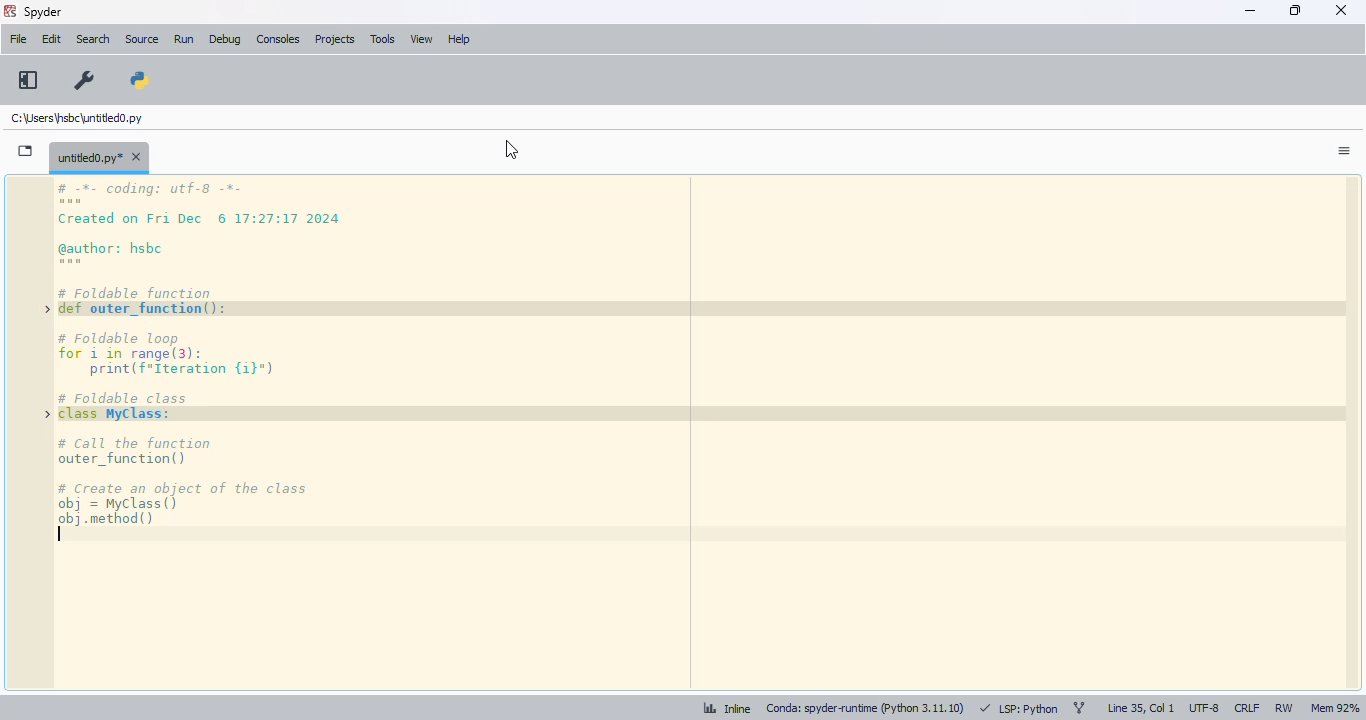 This screenshot has width=1366, height=720. I want to click on tools, so click(383, 39).